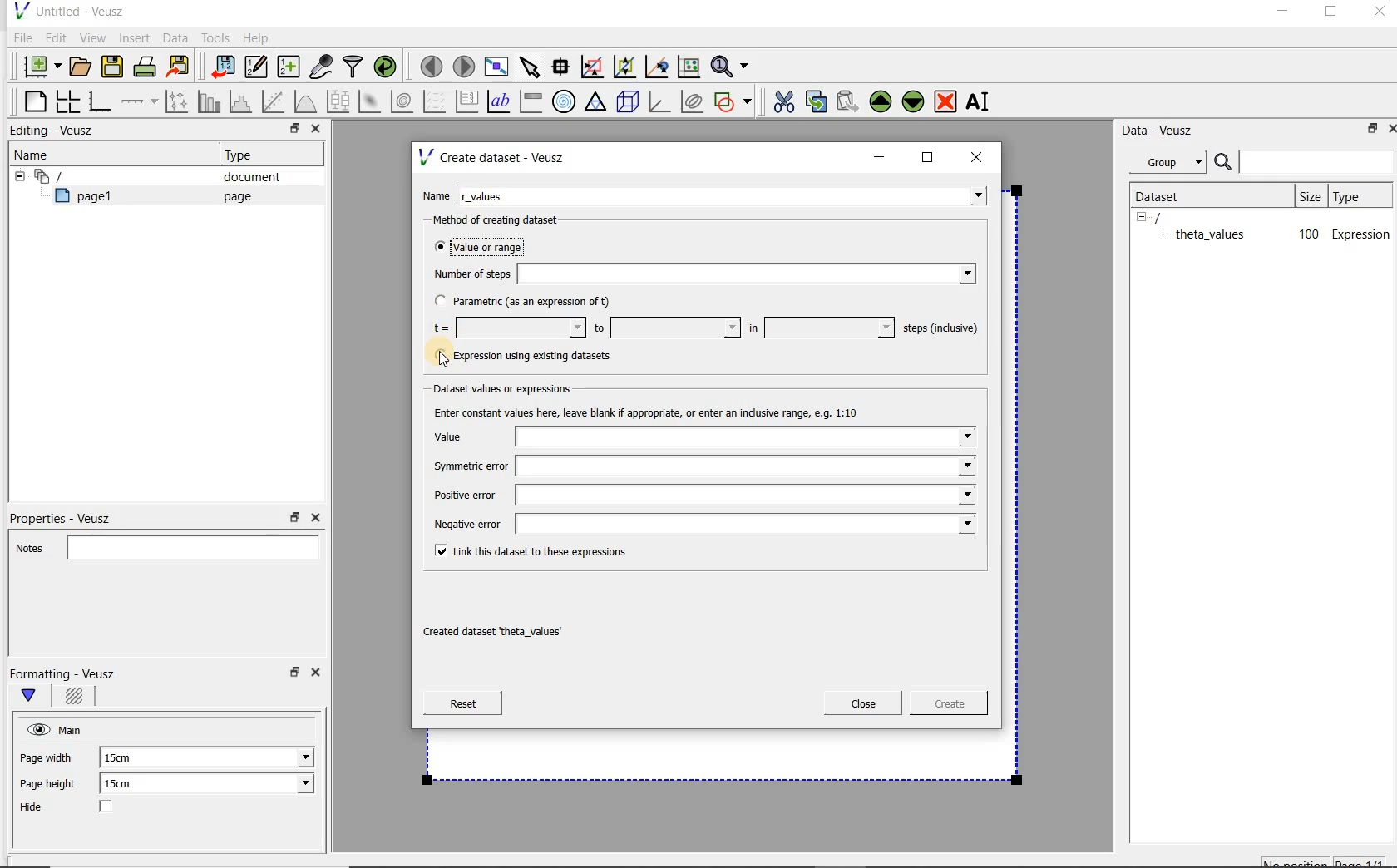 The image size is (1397, 868). What do you see at coordinates (731, 62) in the screenshot?
I see `Zoom functions menu` at bounding box center [731, 62].